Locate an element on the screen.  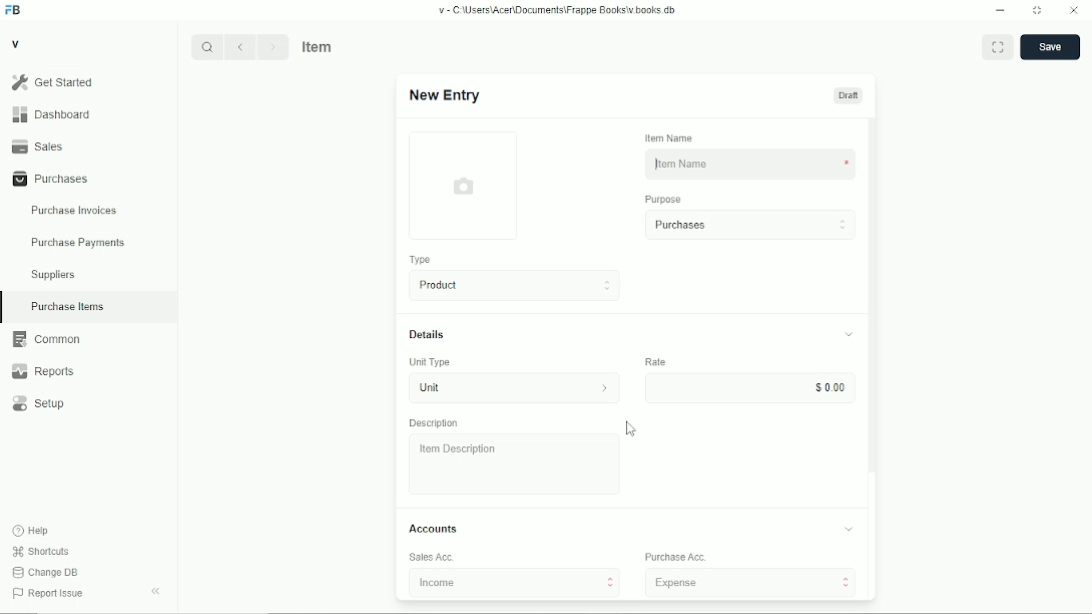
Back is located at coordinates (239, 46).